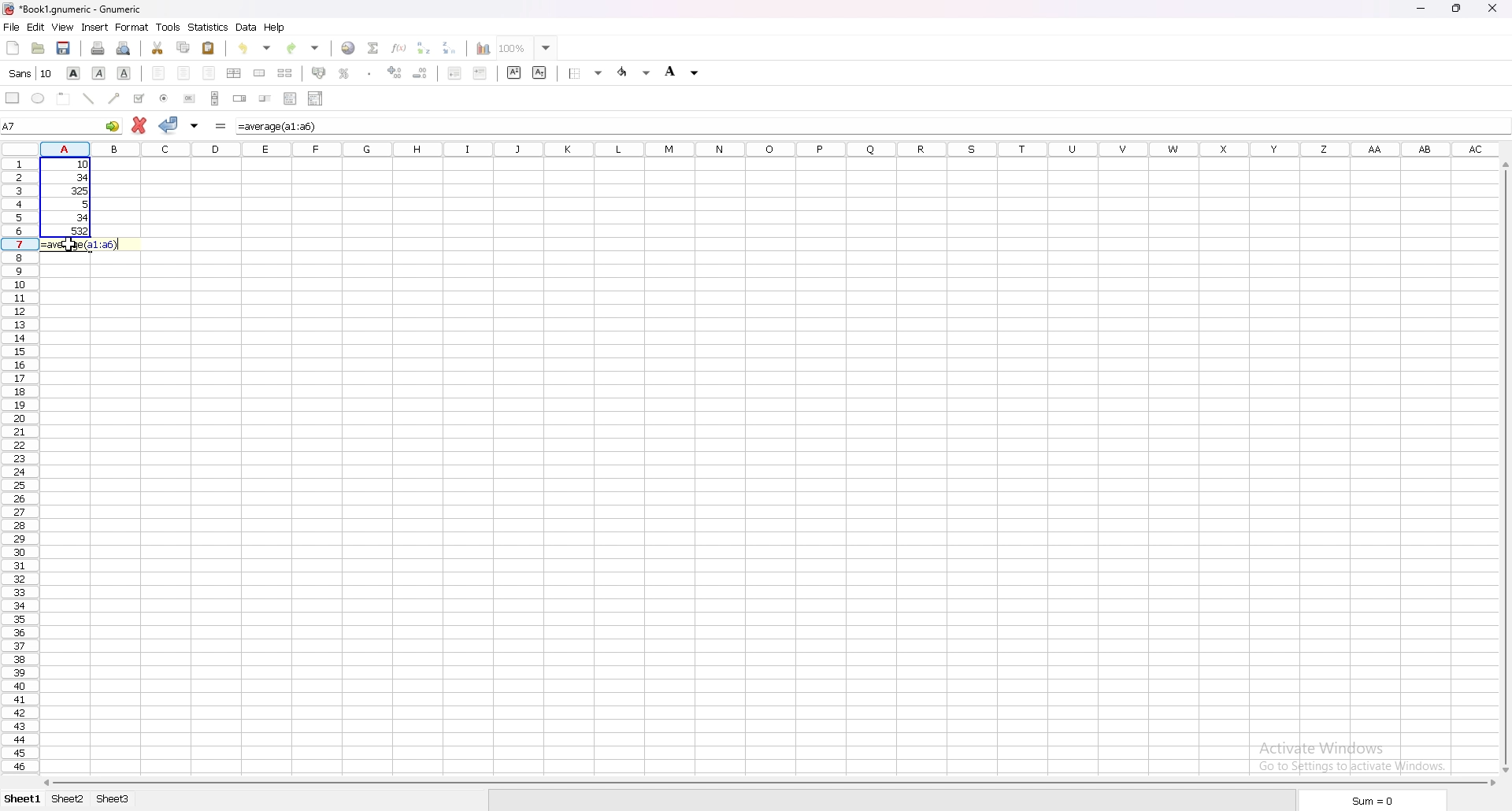 Image resolution: width=1512 pixels, height=811 pixels. I want to click on scroll bar, so click(1504, 466).